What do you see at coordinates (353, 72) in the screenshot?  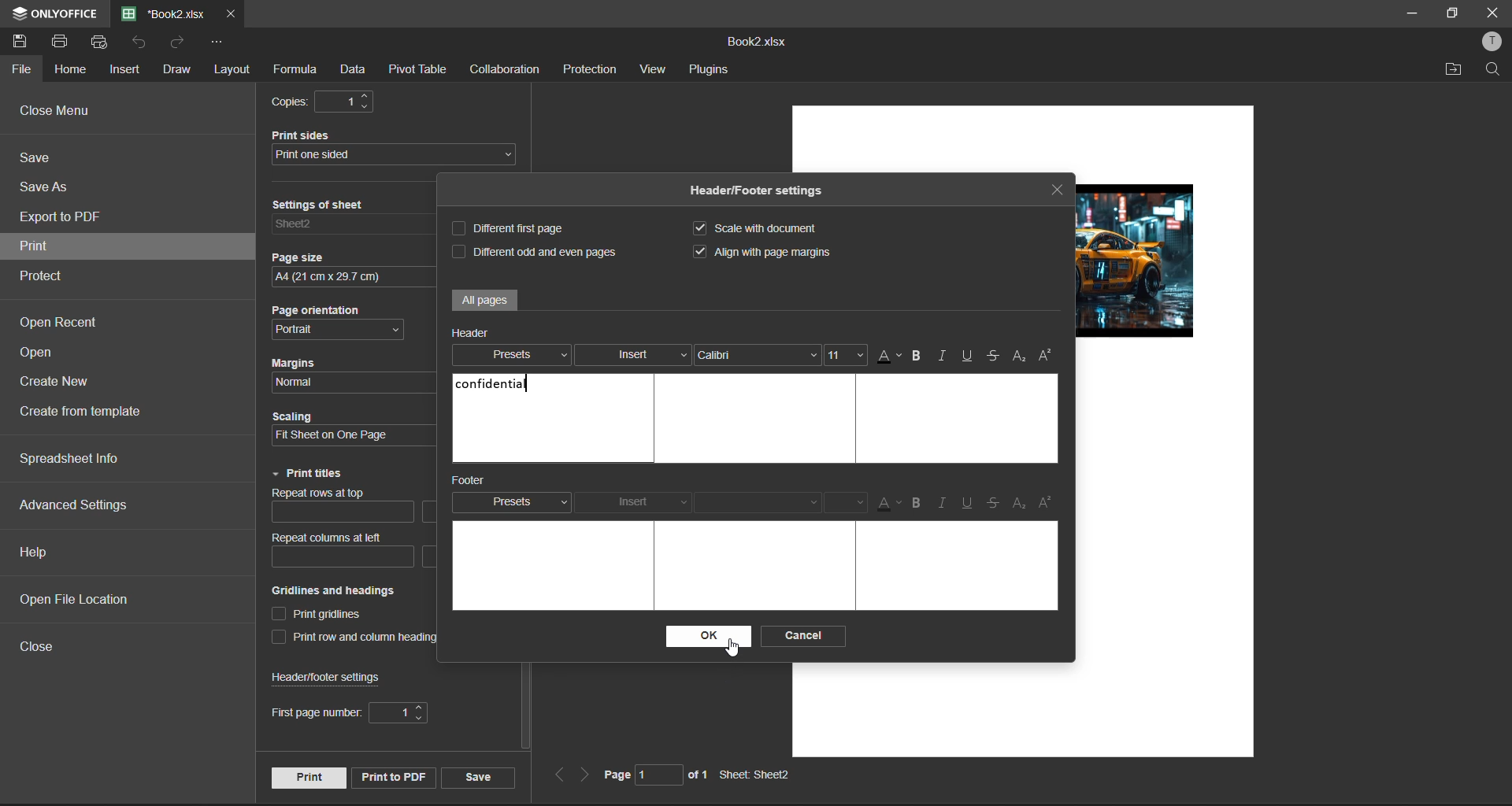 I see `data` at bounding box center [353, 72].